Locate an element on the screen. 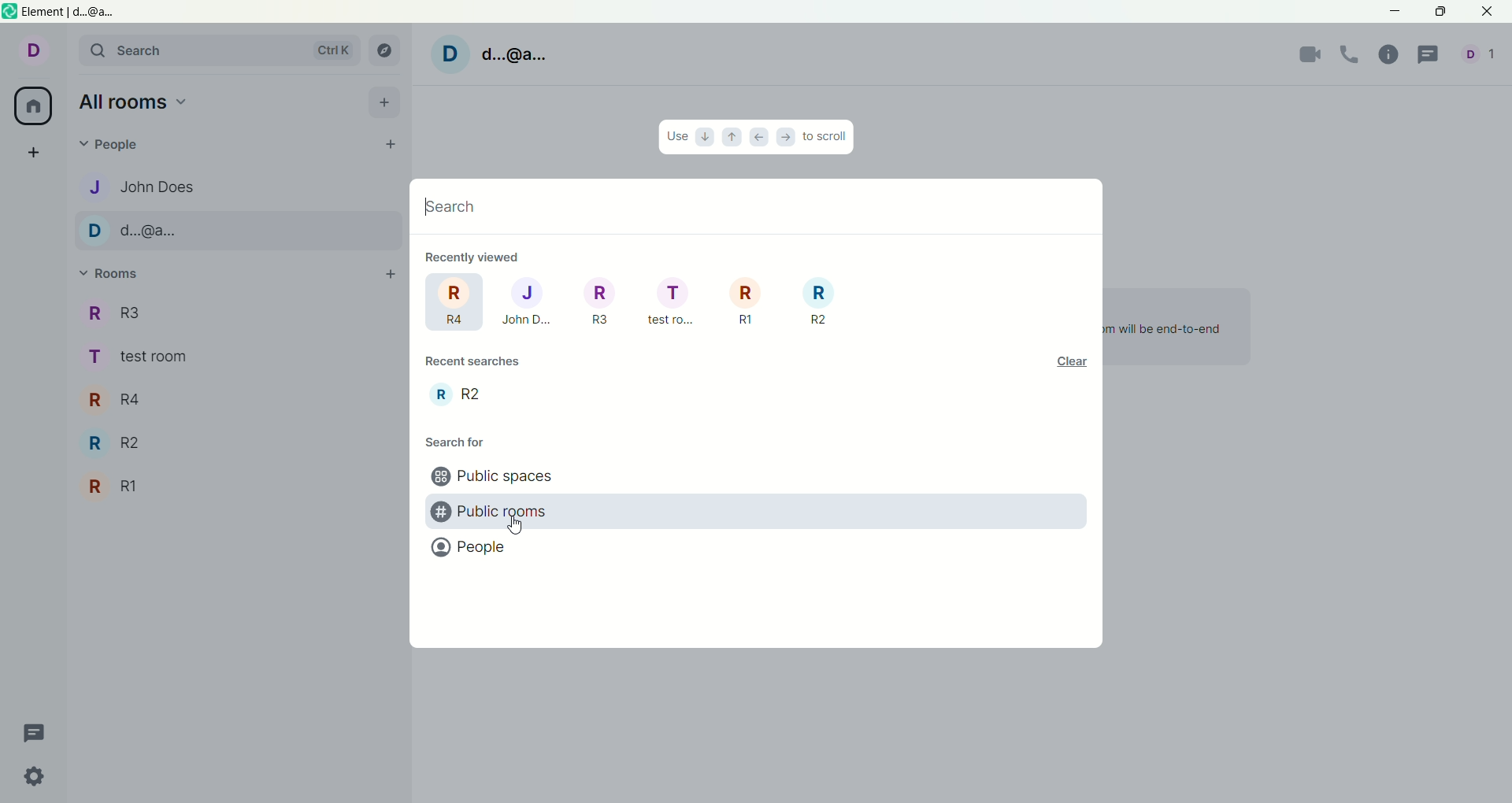 This screenshot has height=803, width=1512. Current account is located at coordinates (30, 54).